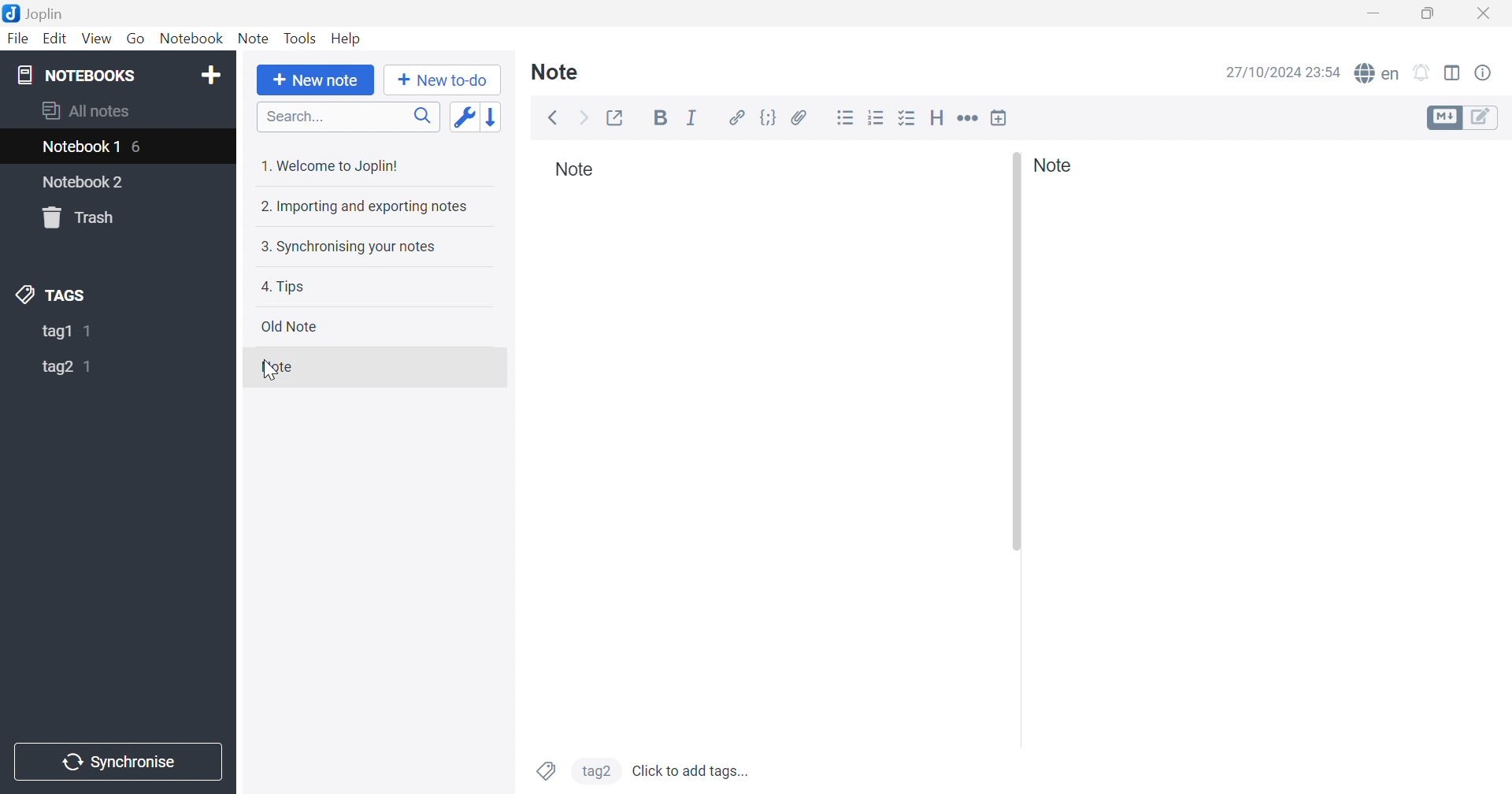 This screenshot has height=794, width=1512. Describe the element at coordinates (346, 248) in the screenshot. I see `3. Synchronising your notes` at that location.